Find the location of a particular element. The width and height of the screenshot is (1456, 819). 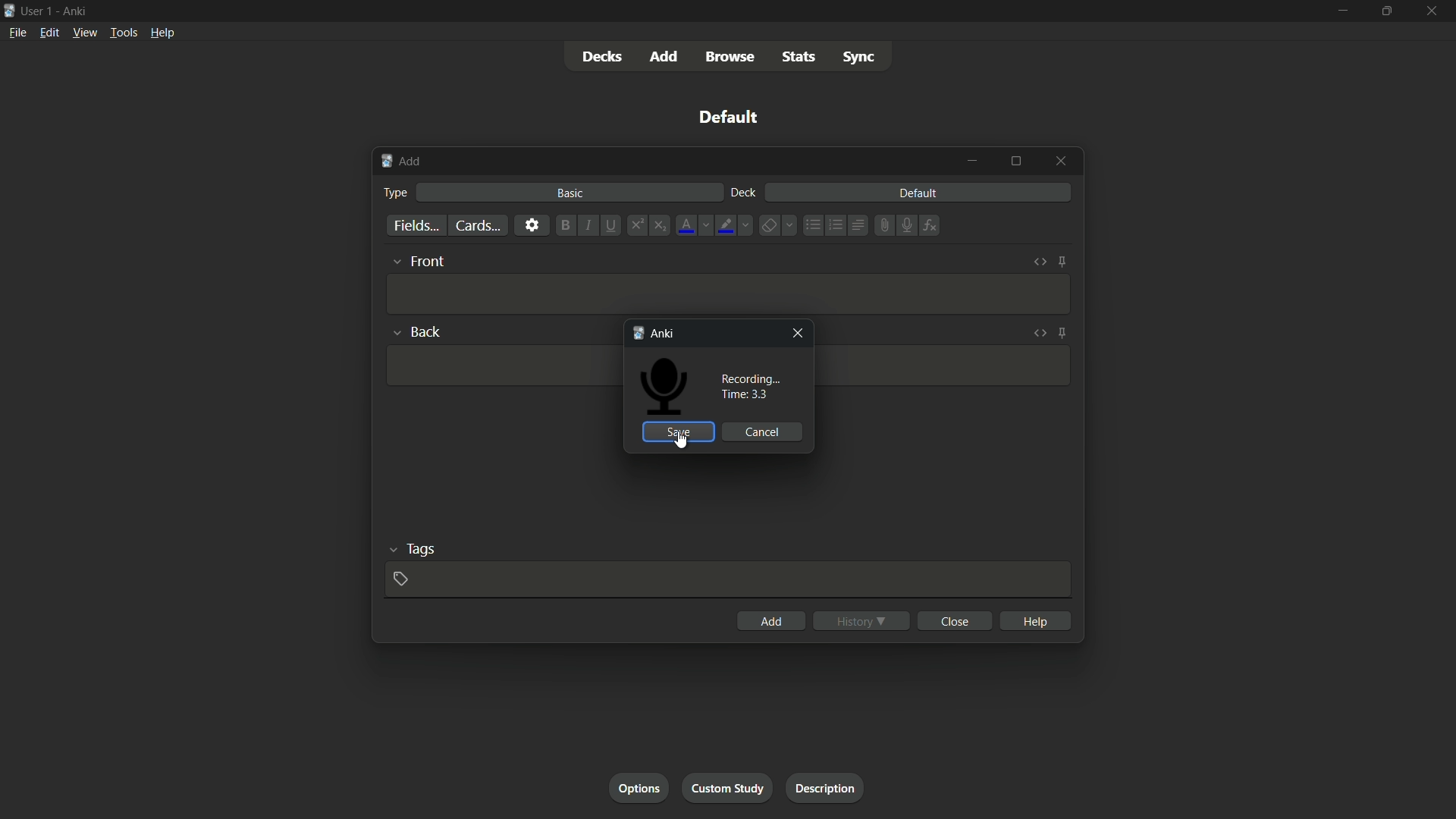

remove  formatting is located at coordinates (768, 226).